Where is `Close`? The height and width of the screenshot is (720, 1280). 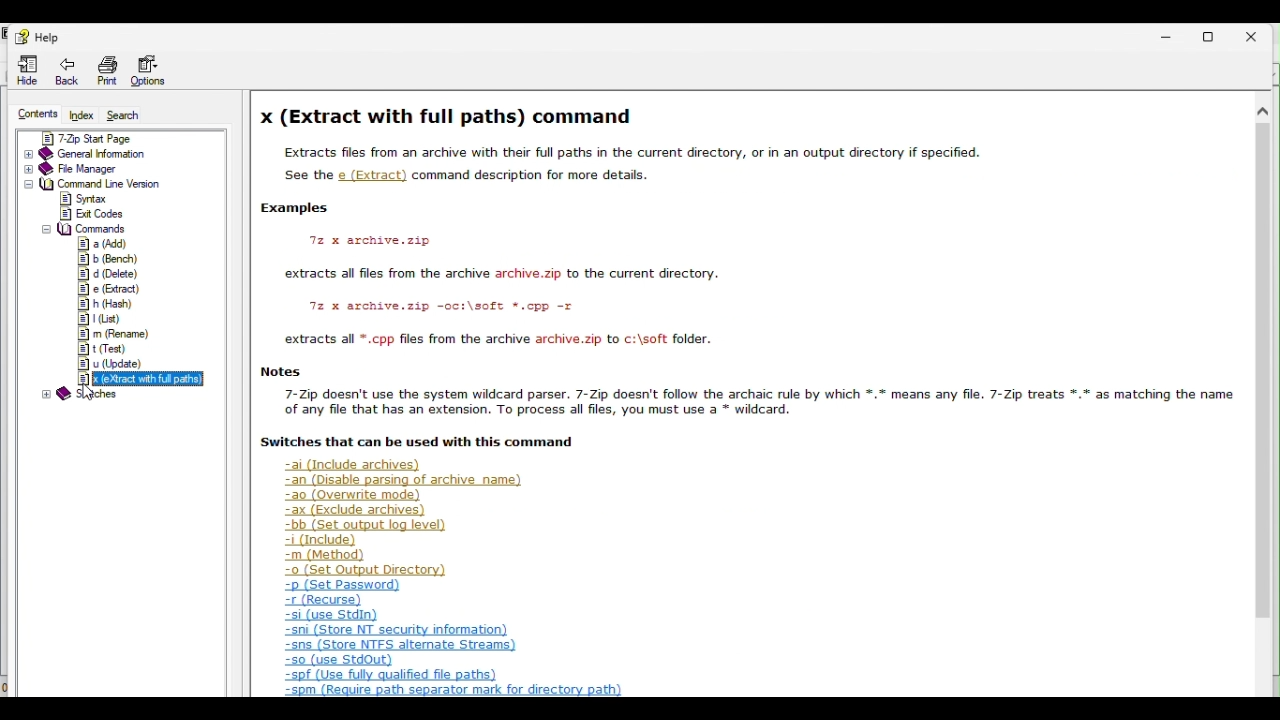 Close is located at coordinates (1259, 33).